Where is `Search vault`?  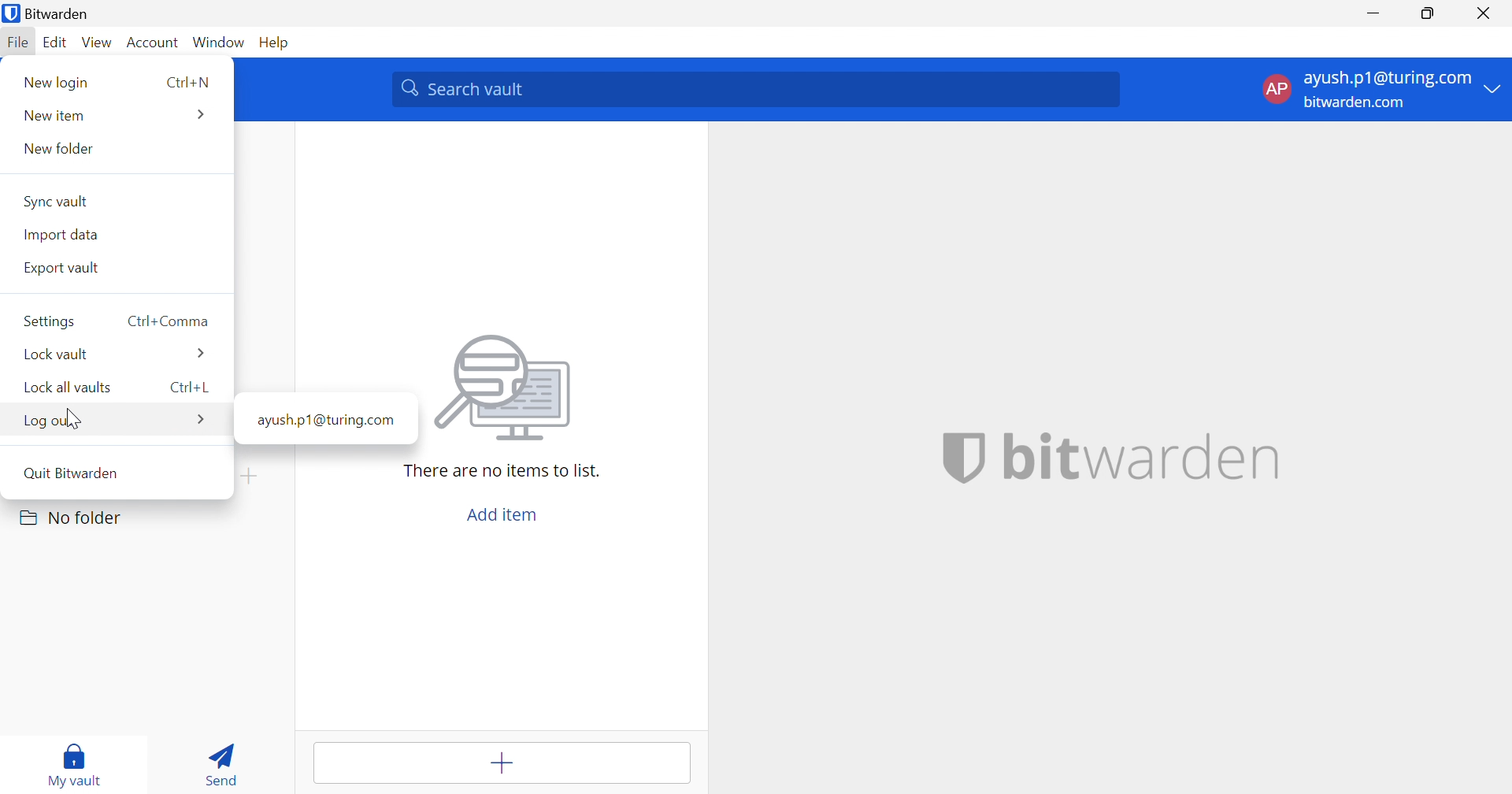
Search vault is located at coordinates (754, 90).